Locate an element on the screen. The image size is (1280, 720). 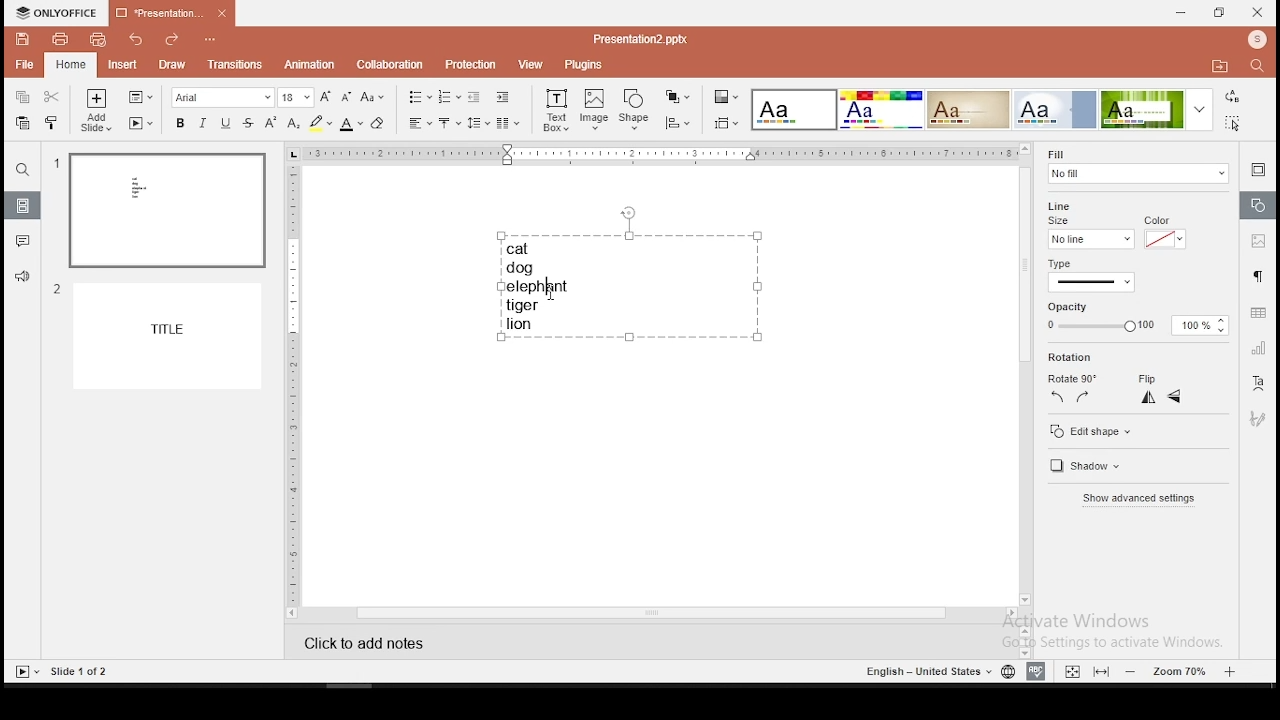
theme  is located at coordinates (968, 109).